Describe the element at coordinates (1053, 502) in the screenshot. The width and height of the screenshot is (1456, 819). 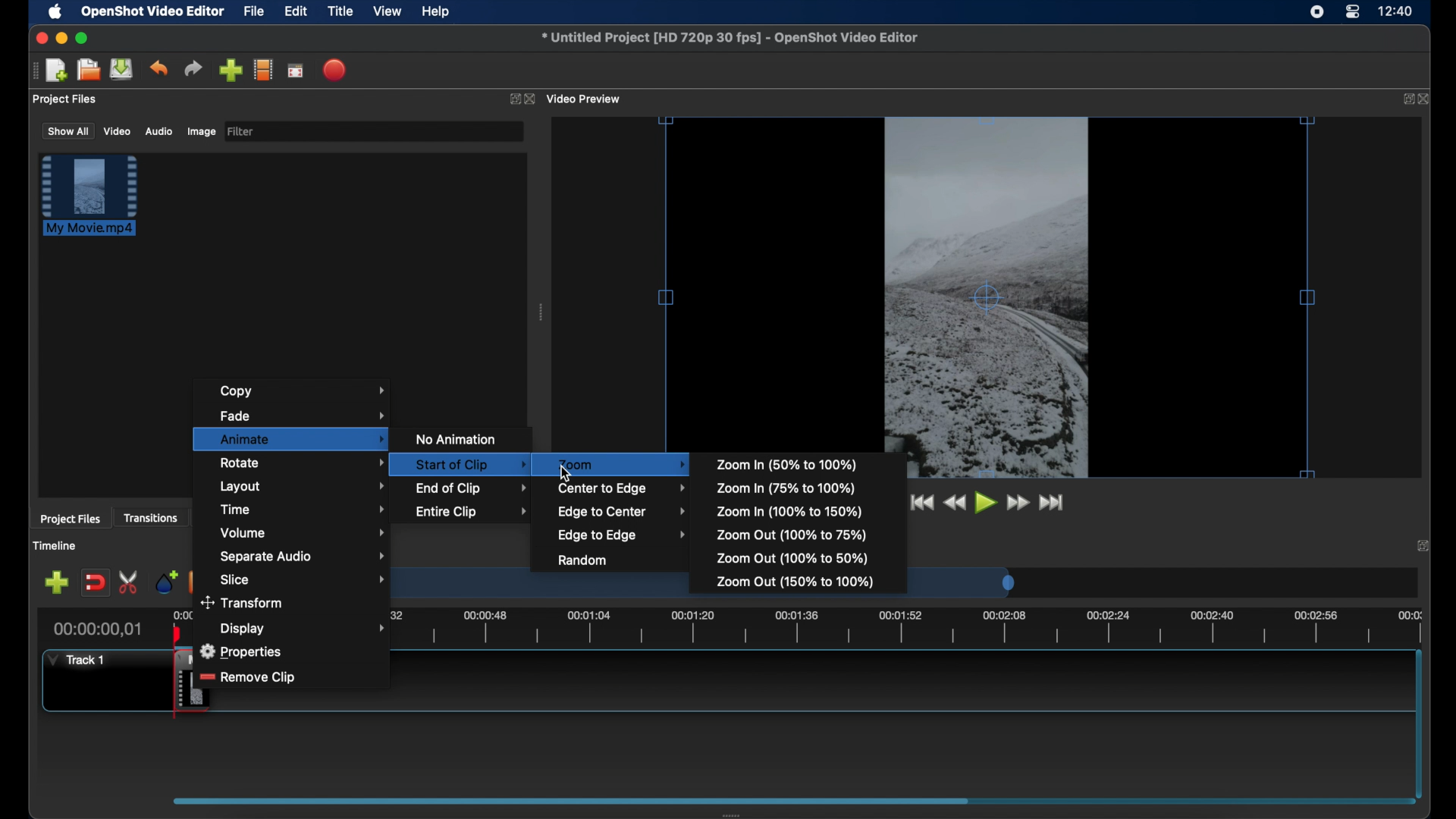
I see `jump to start` at that location.